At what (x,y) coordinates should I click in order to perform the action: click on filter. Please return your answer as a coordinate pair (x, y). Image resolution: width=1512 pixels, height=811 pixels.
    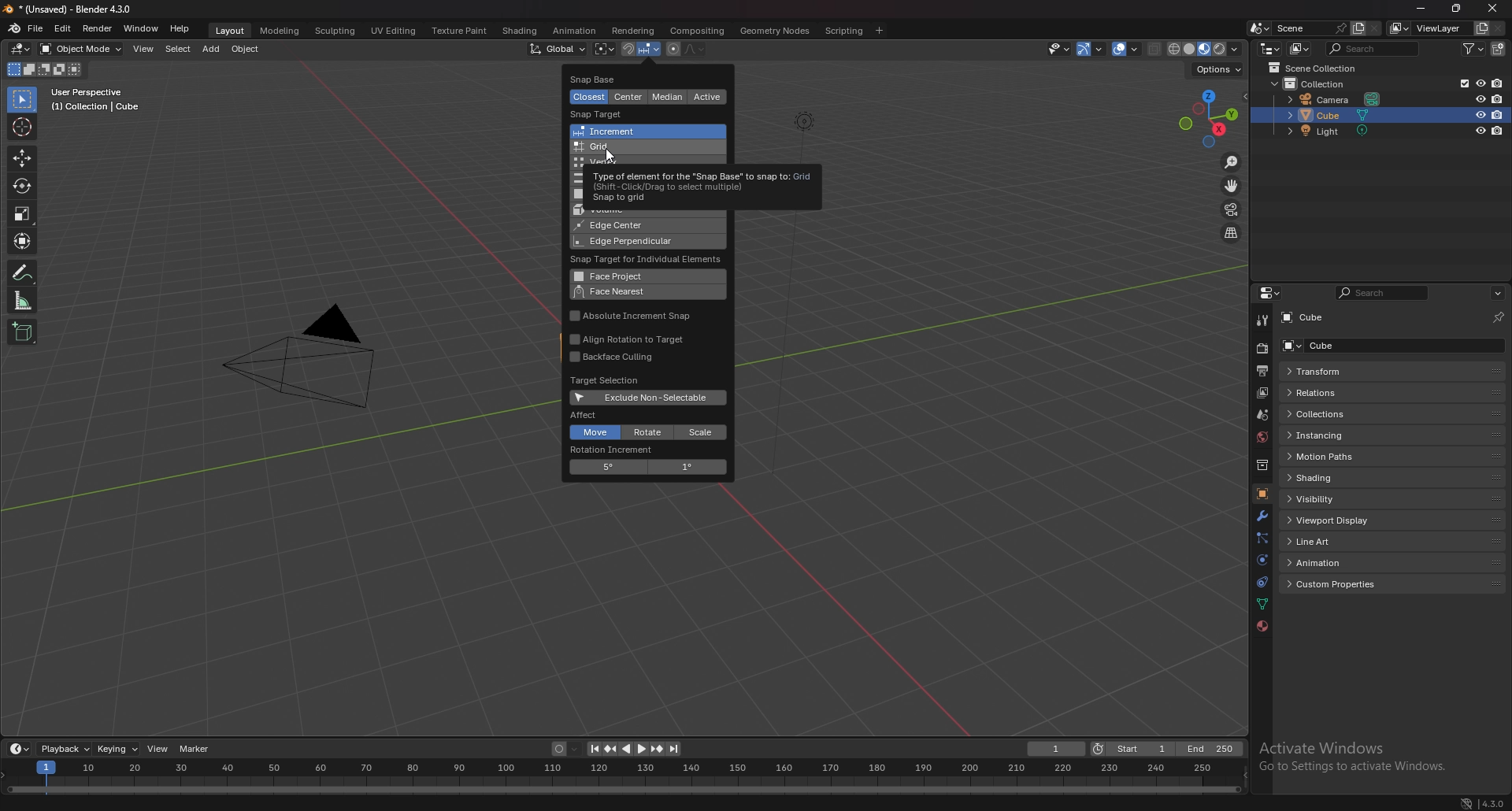
    Looking at the image, I should click on (1473, 48).